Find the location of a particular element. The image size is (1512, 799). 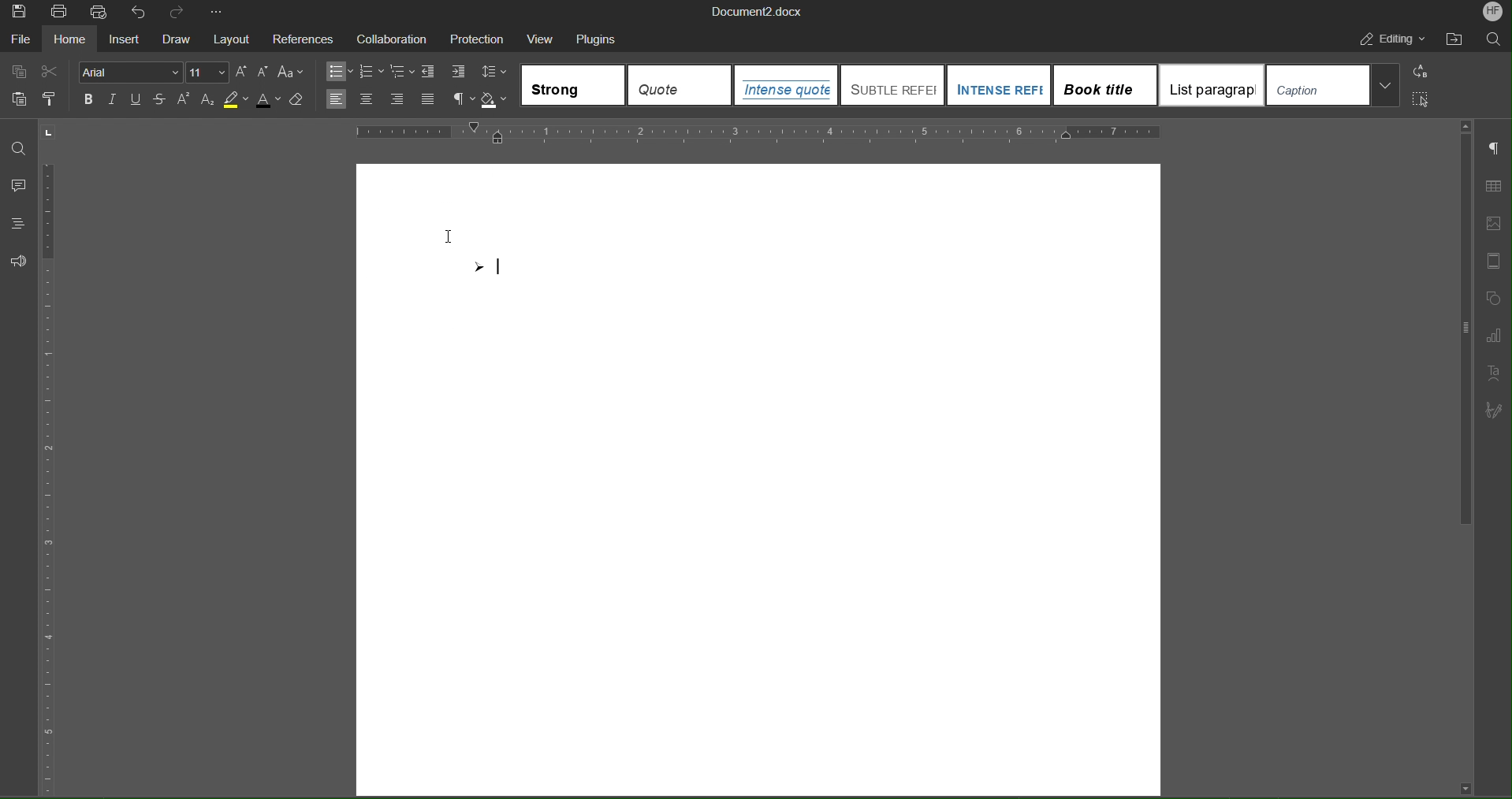

Strikethrough is located at coordinates (165, 102).